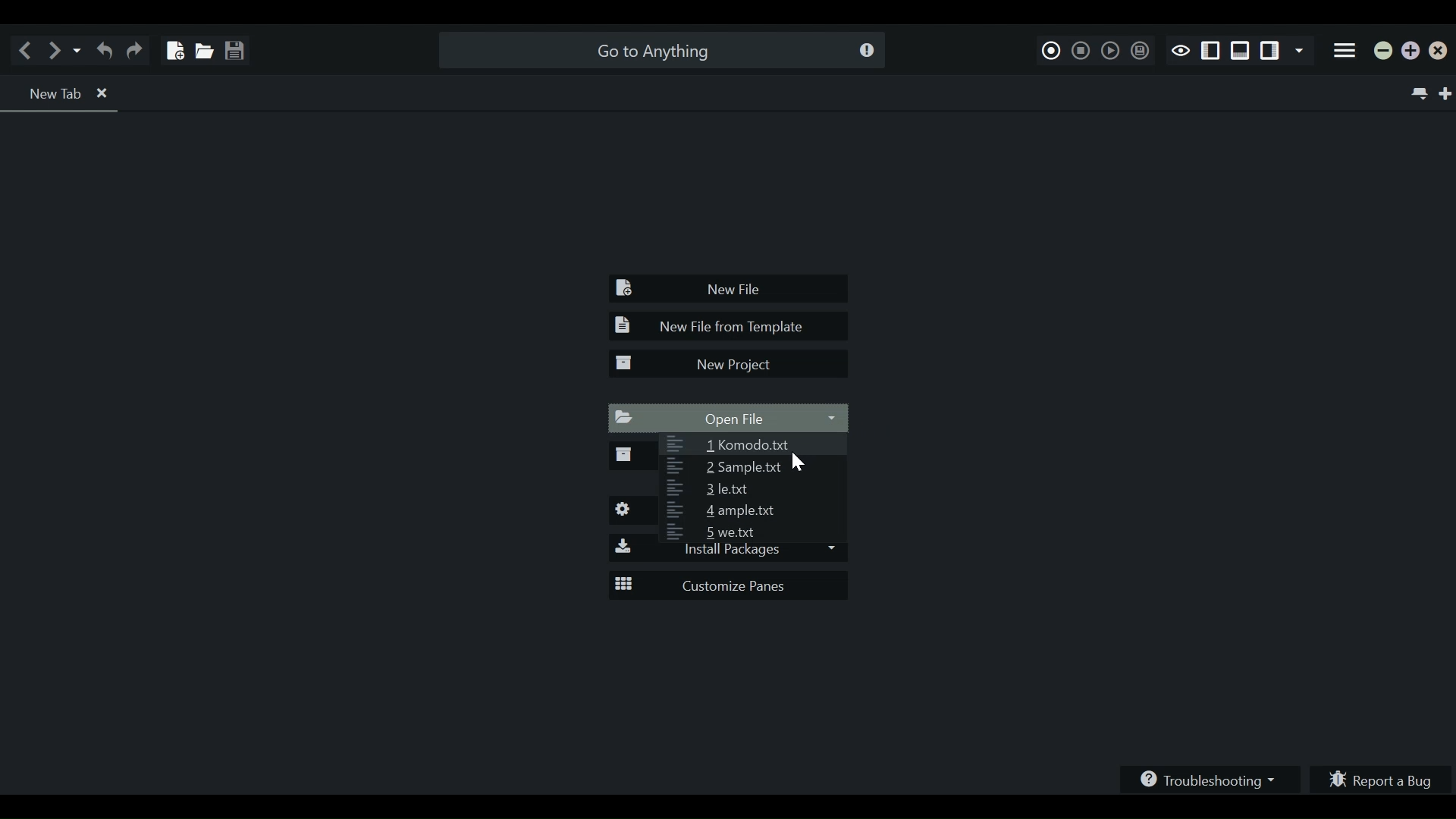 This screenshot has height=819, width=1456. What do you see at coordinates (63, 94) in the screenshot?
I see `Open Tabs` at bounding box center [63, 94].